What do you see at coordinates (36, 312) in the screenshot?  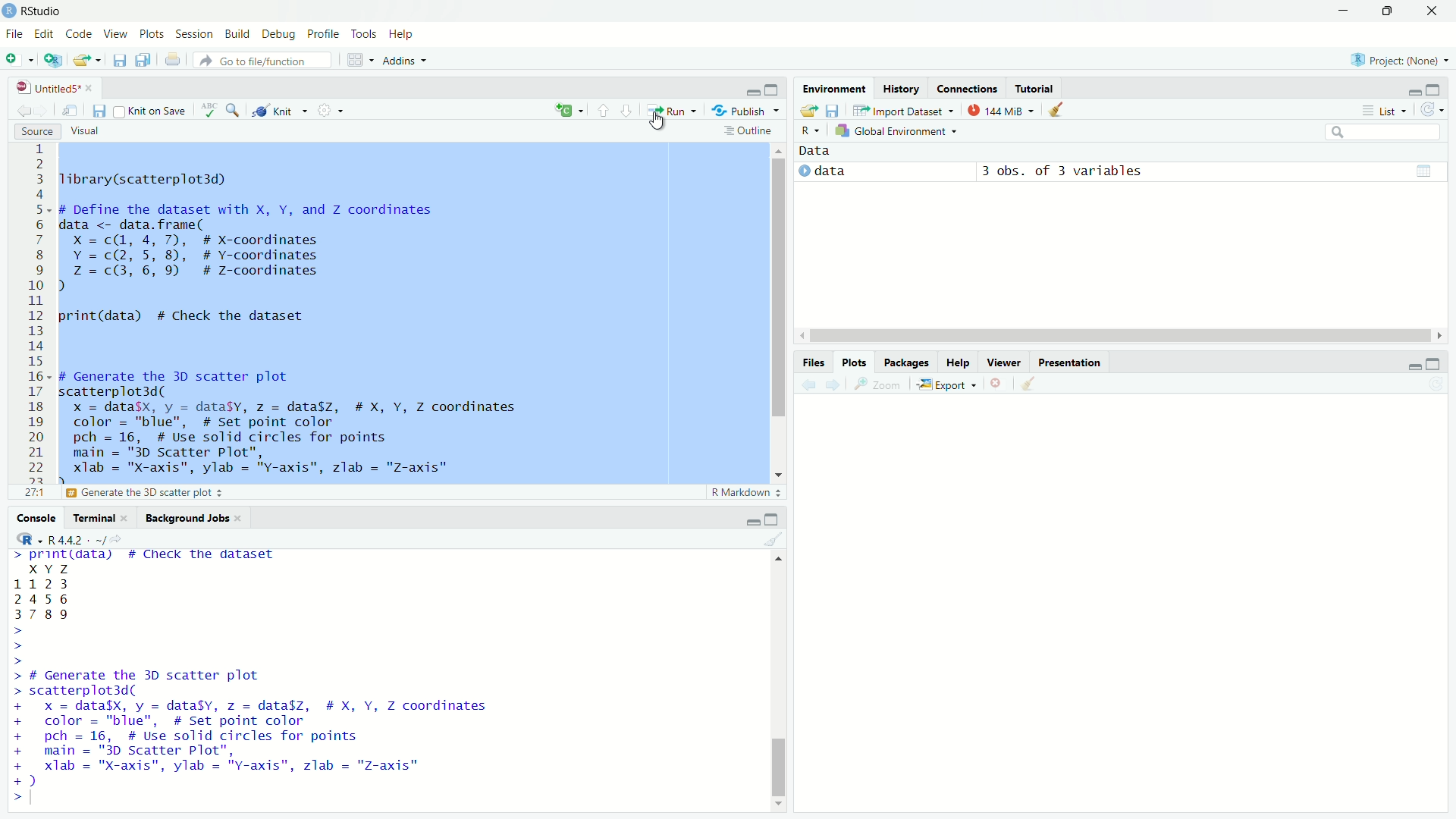 I see `line numbers` at bounding box center [36, 312].